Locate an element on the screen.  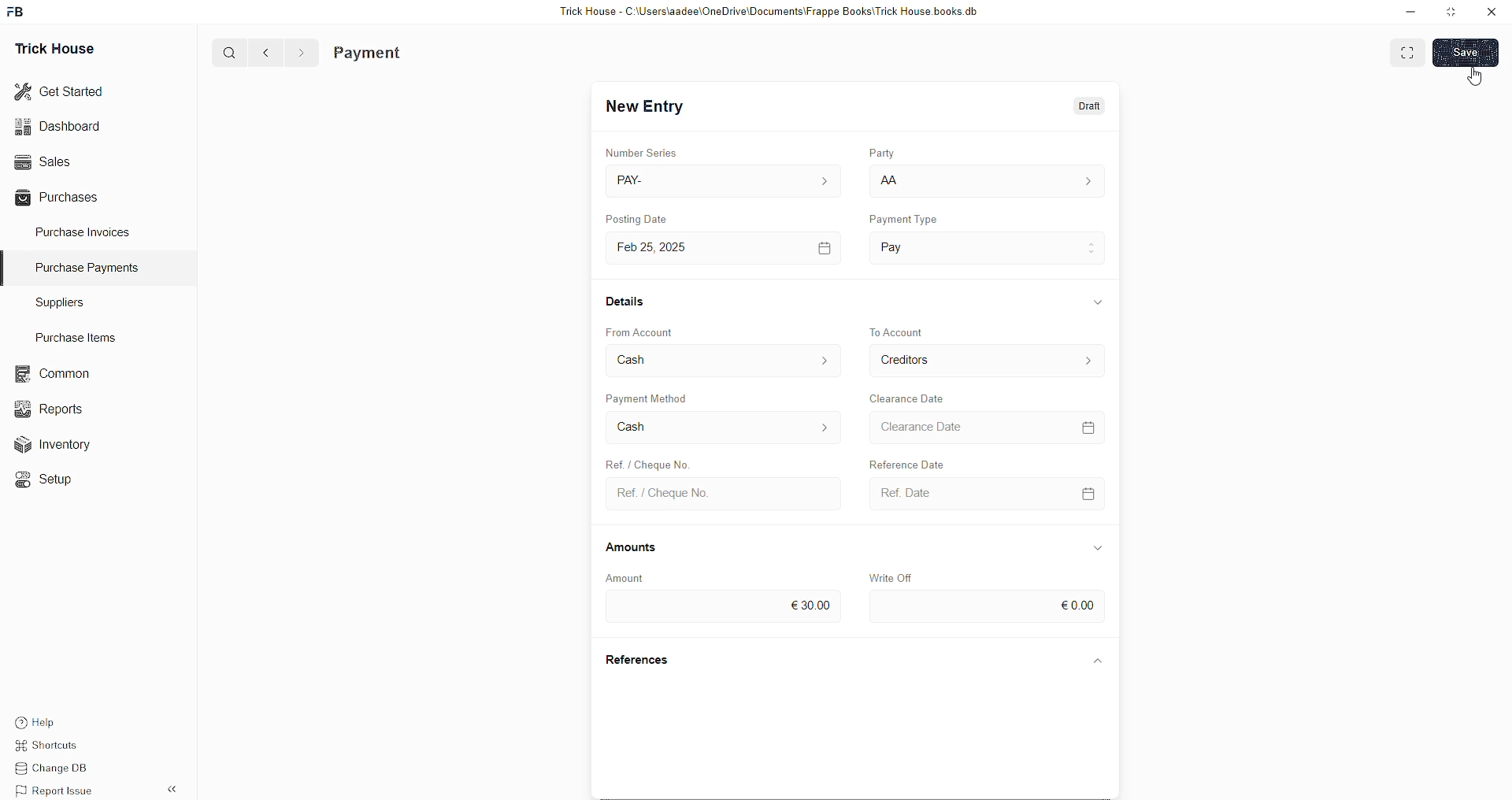
Trick House is located at coordinates (50, 47).